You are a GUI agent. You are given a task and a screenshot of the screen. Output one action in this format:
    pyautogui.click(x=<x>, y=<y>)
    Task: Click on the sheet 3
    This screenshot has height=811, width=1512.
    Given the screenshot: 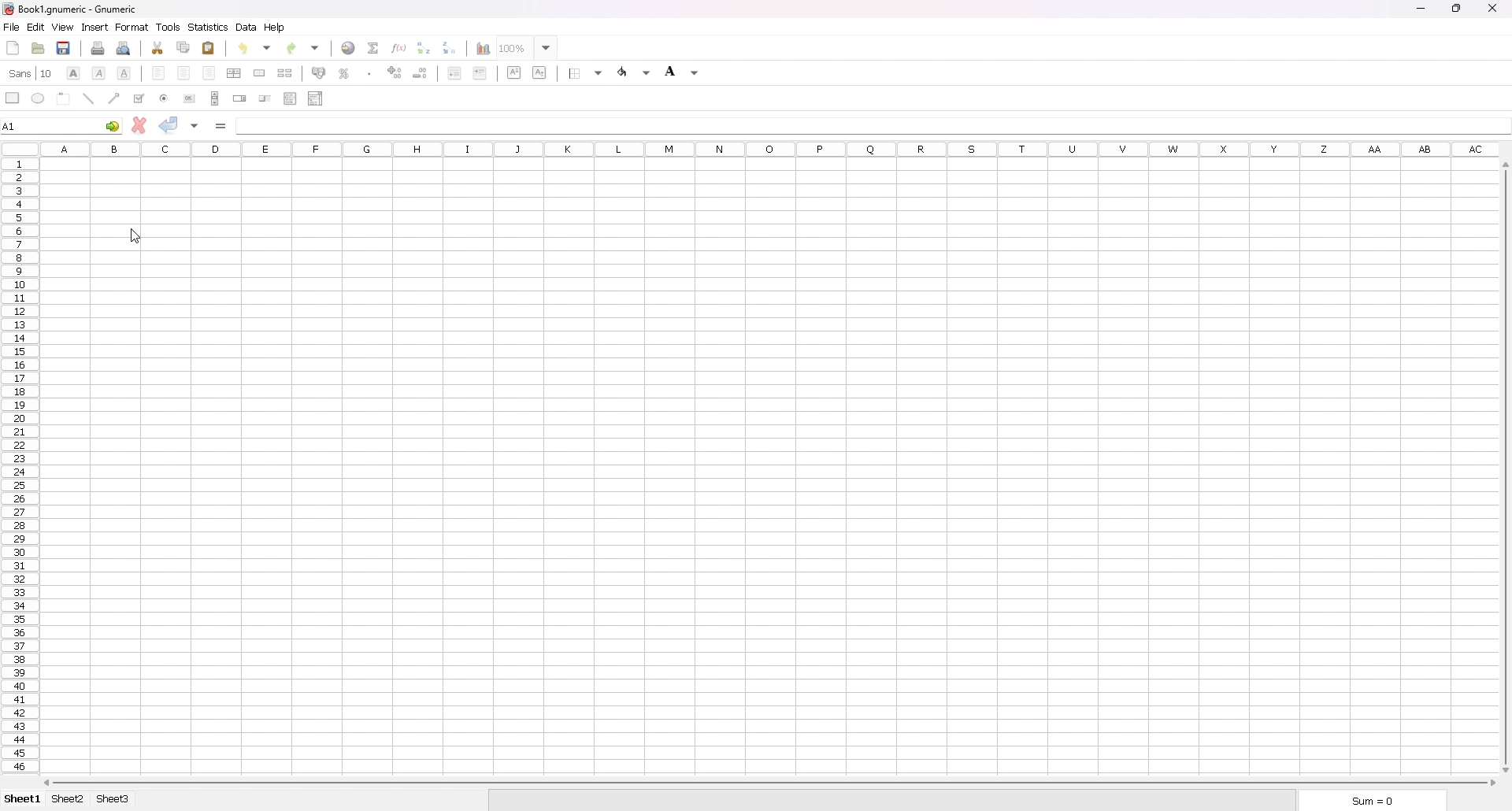 What is the action you would take?
    pyautogui.click(x=114, y=800)
    